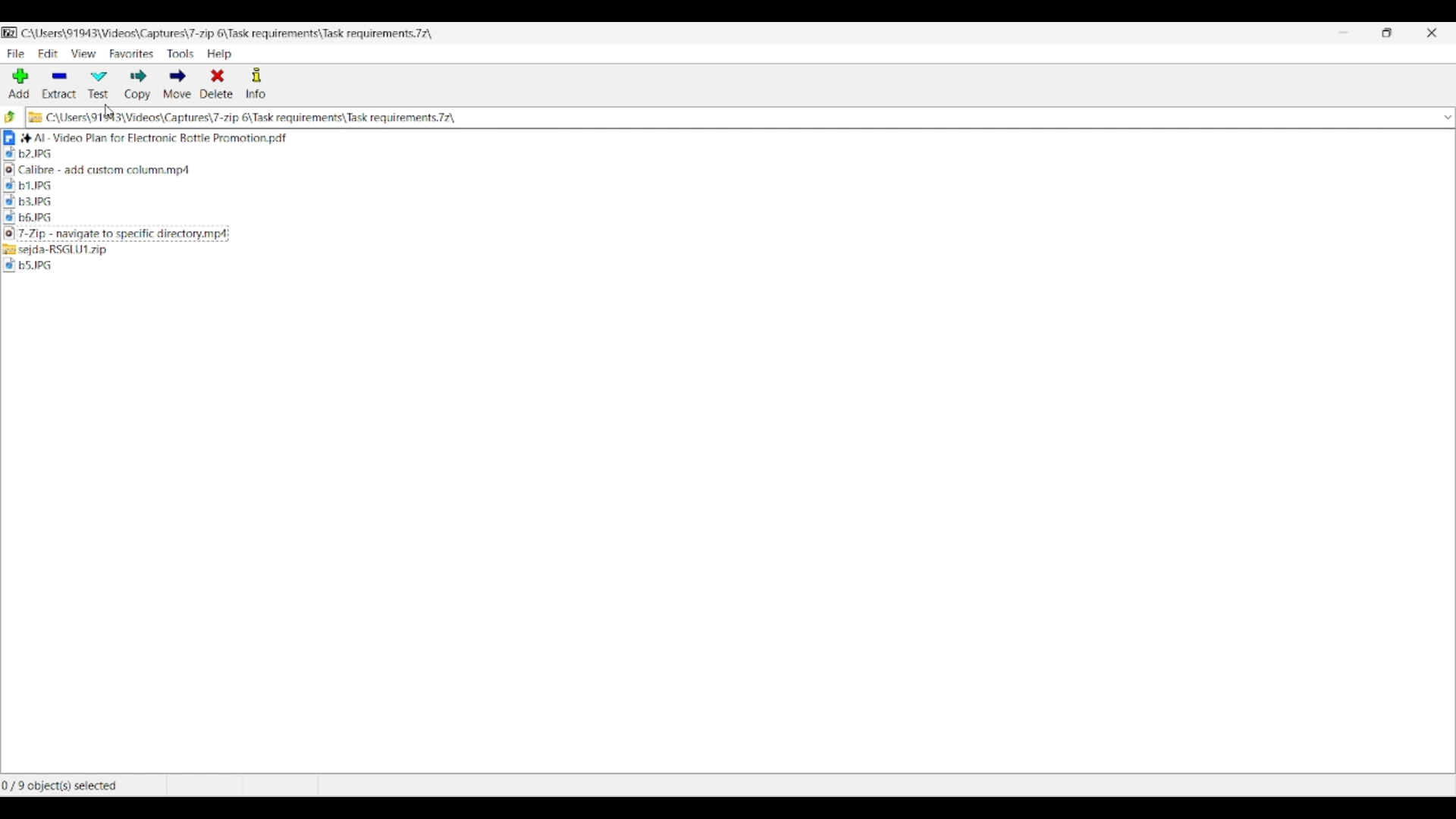  I want to click on Extract, so click(59, 85).